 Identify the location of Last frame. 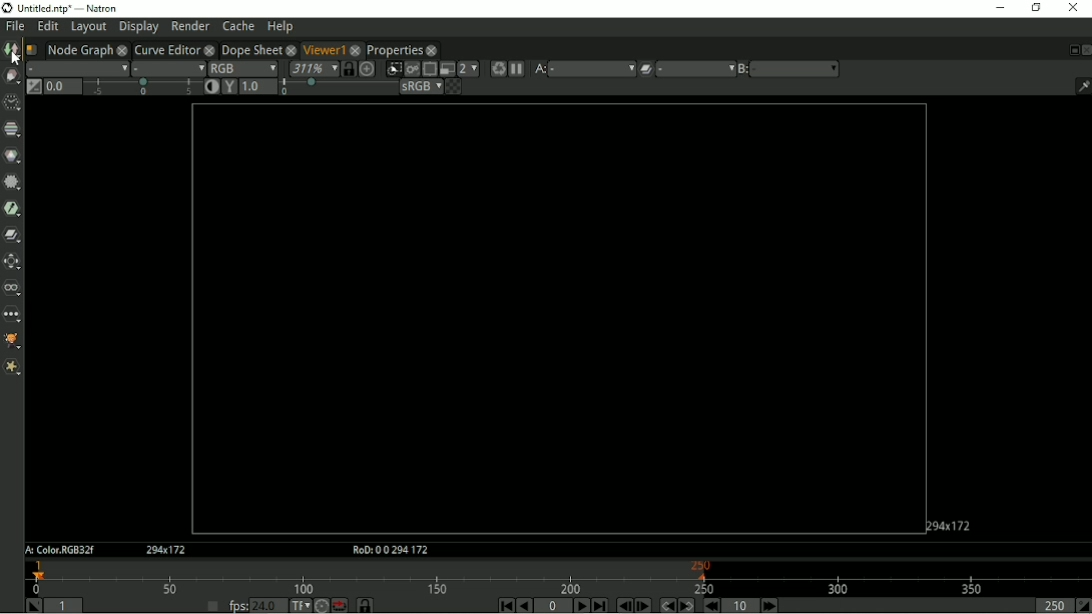
(600, 605).